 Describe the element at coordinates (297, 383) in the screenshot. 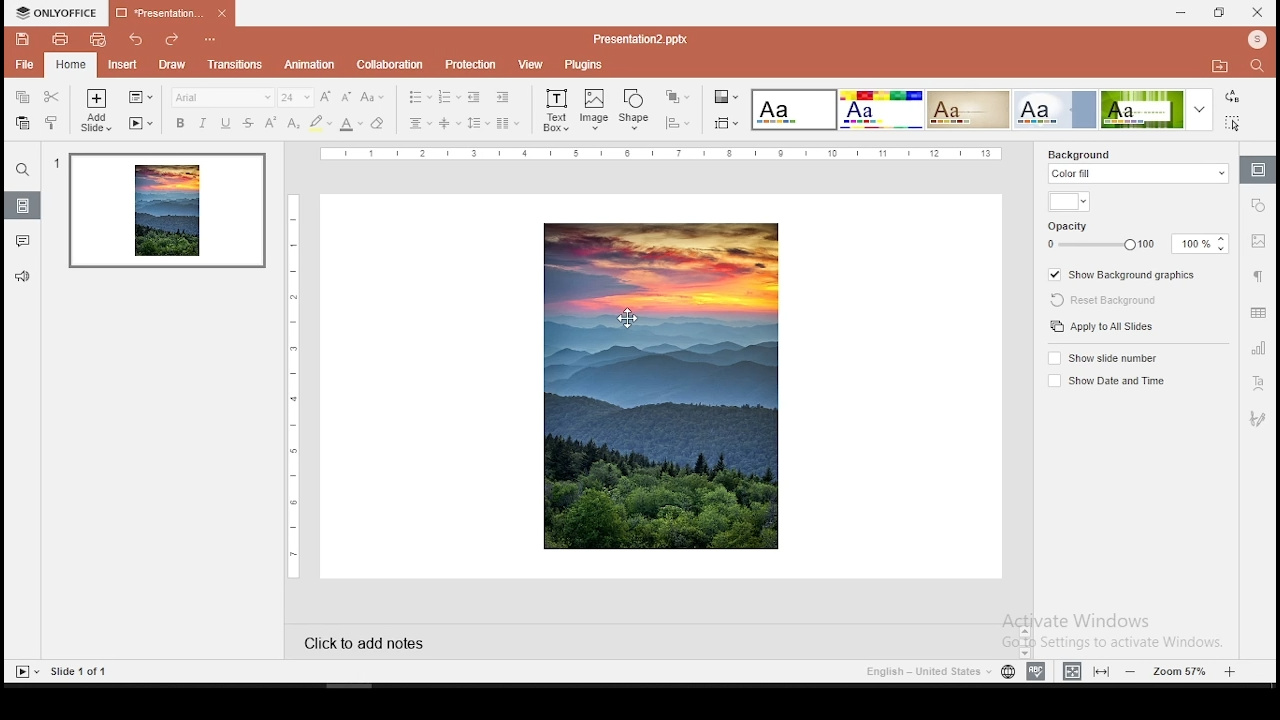

I see `vertical scale` at that location.